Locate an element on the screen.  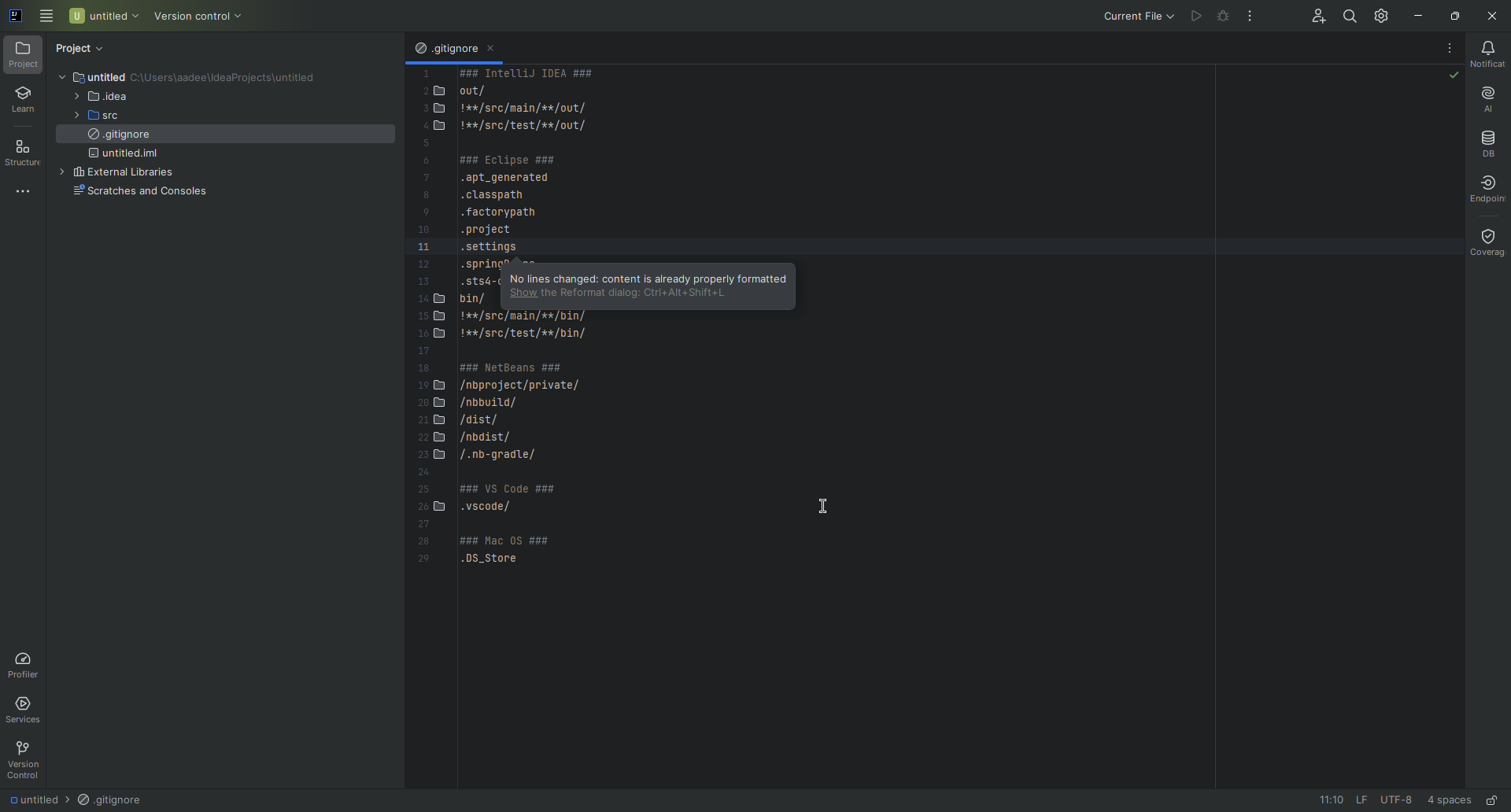
(Formatted file)This is a .gitigmore file,used by Git version control system to specify intentionally untracked files that Git should ignore. is located at coordinates (451, 330).